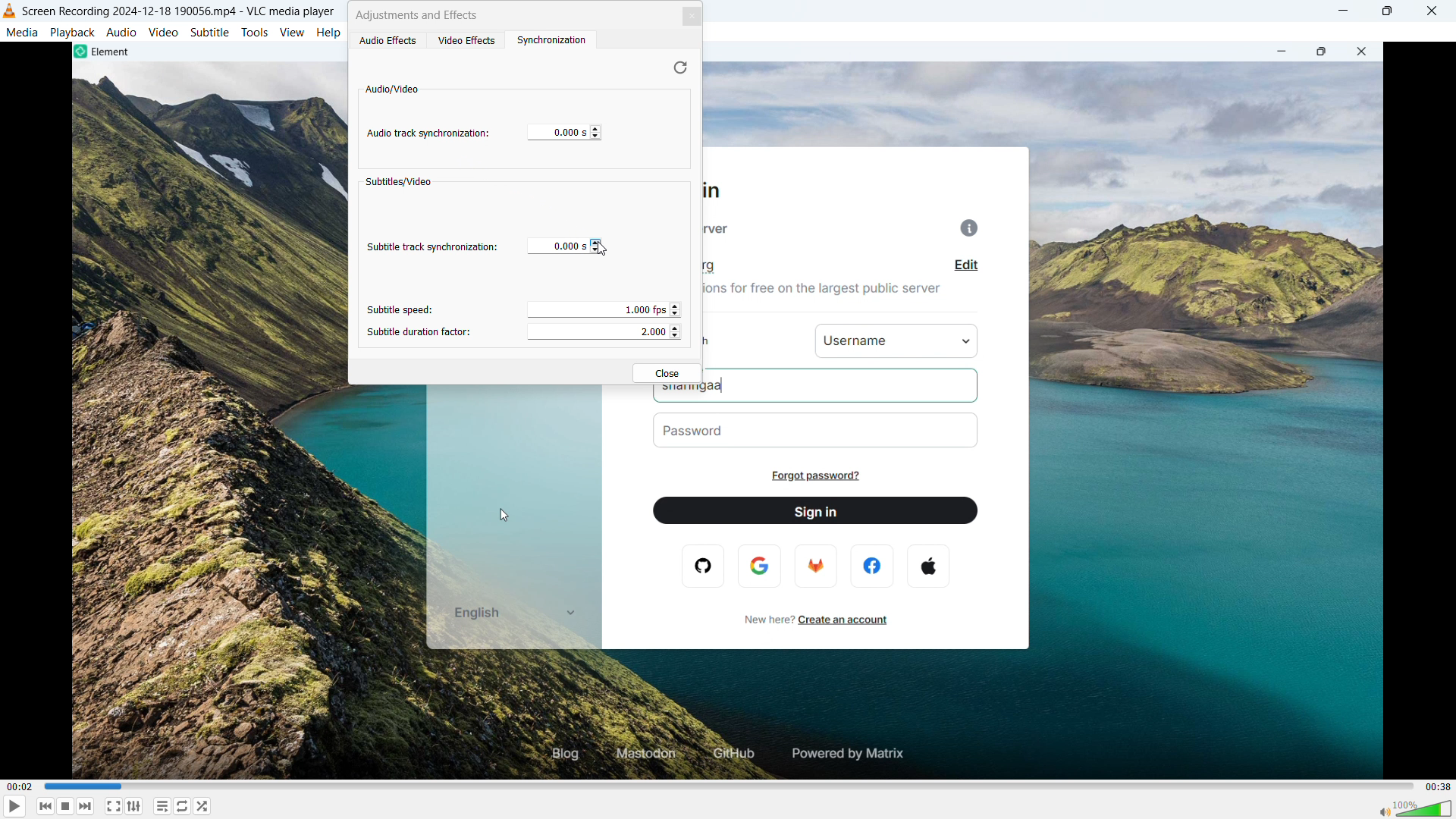  What do you see at coordinates (957, 230) in the screenshot?
I see `info` at bounding box center [957, 230].